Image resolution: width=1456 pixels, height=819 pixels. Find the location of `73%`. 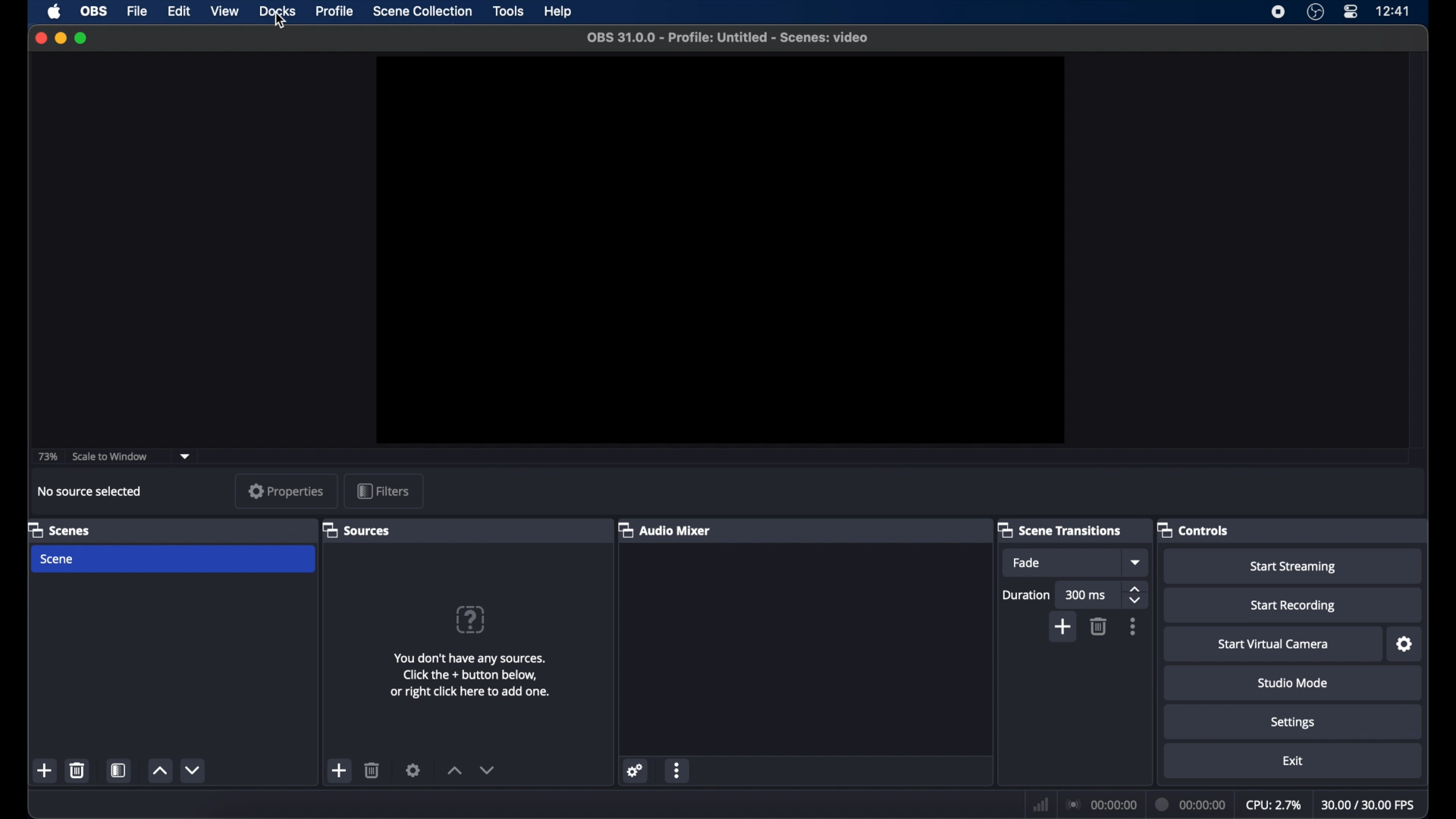

73% is located at coordinates (47, 457).